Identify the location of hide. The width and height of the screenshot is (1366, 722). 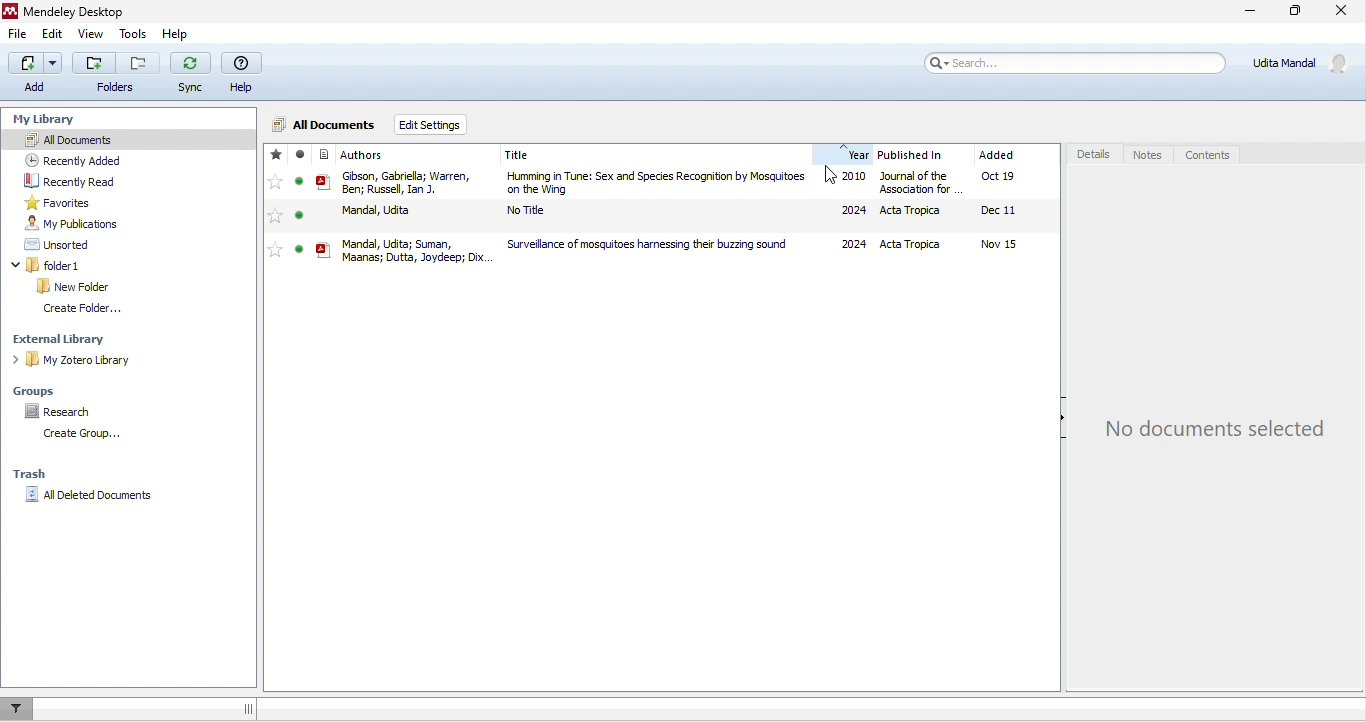
(1054, 425).